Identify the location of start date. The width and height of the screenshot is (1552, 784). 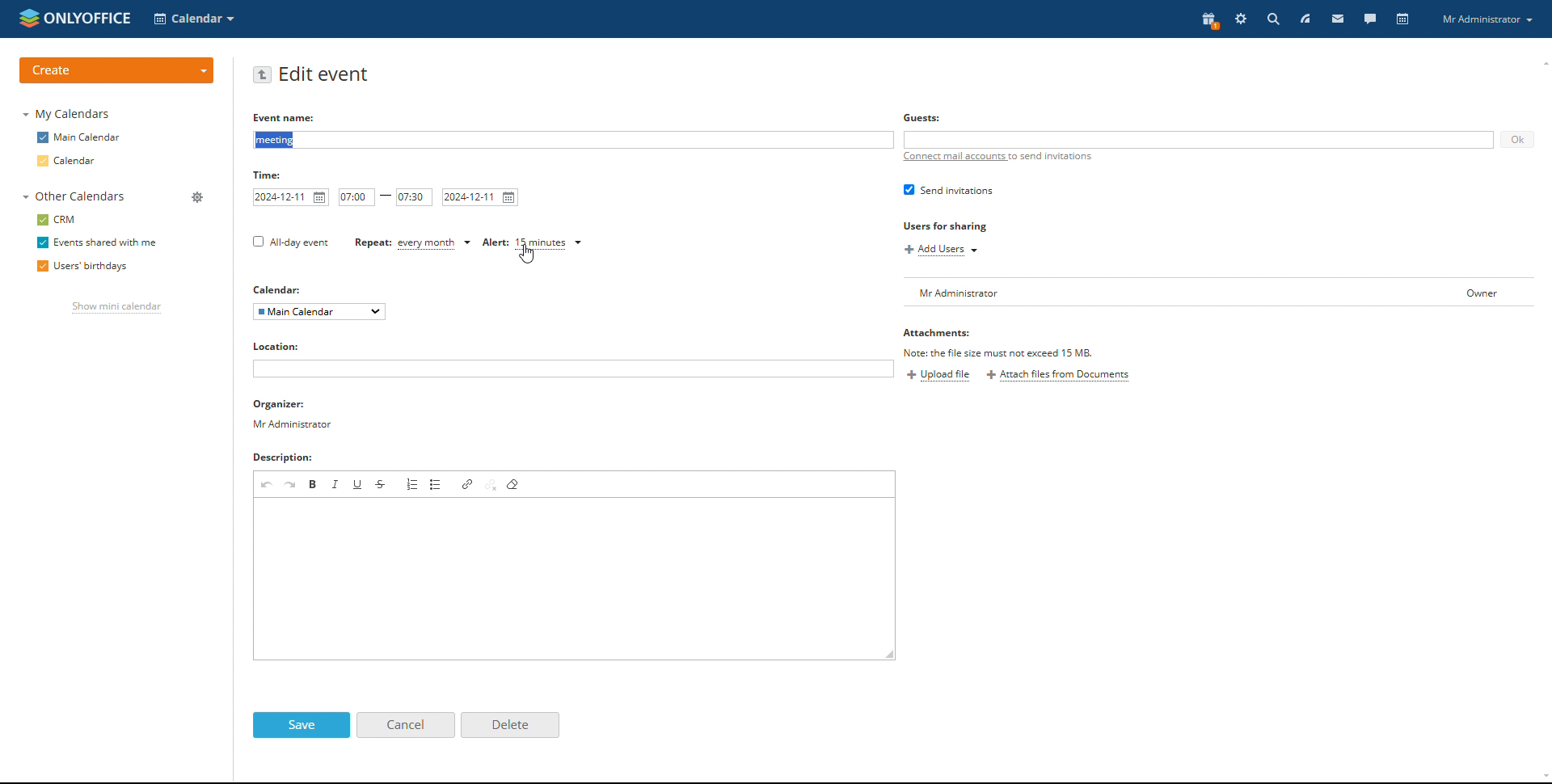
(293, 197).